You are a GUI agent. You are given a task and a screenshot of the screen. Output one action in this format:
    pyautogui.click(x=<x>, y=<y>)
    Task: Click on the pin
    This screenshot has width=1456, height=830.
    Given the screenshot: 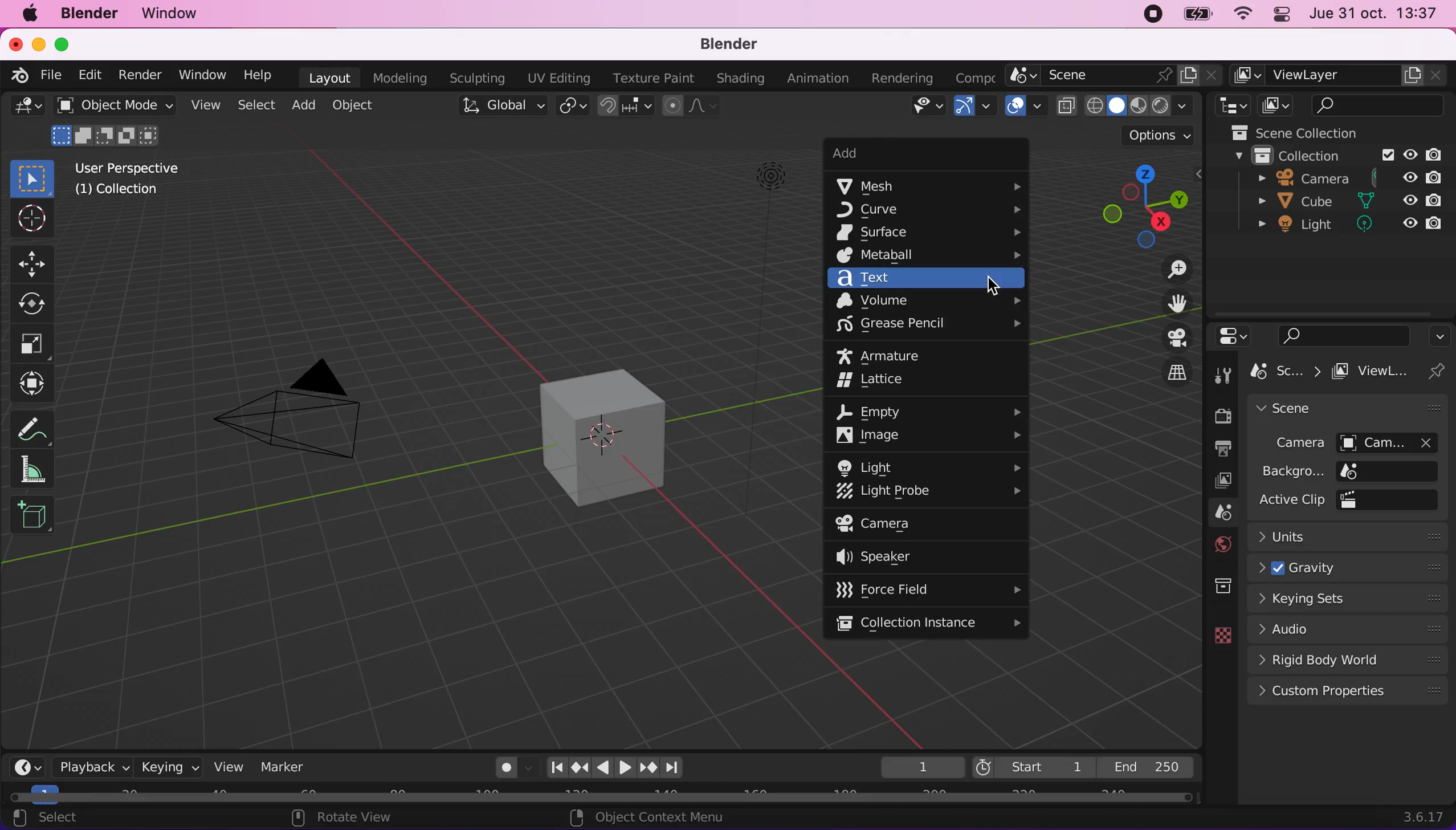 What is the action you would take?
    pyautogui.click(x=1441, y=371)
    